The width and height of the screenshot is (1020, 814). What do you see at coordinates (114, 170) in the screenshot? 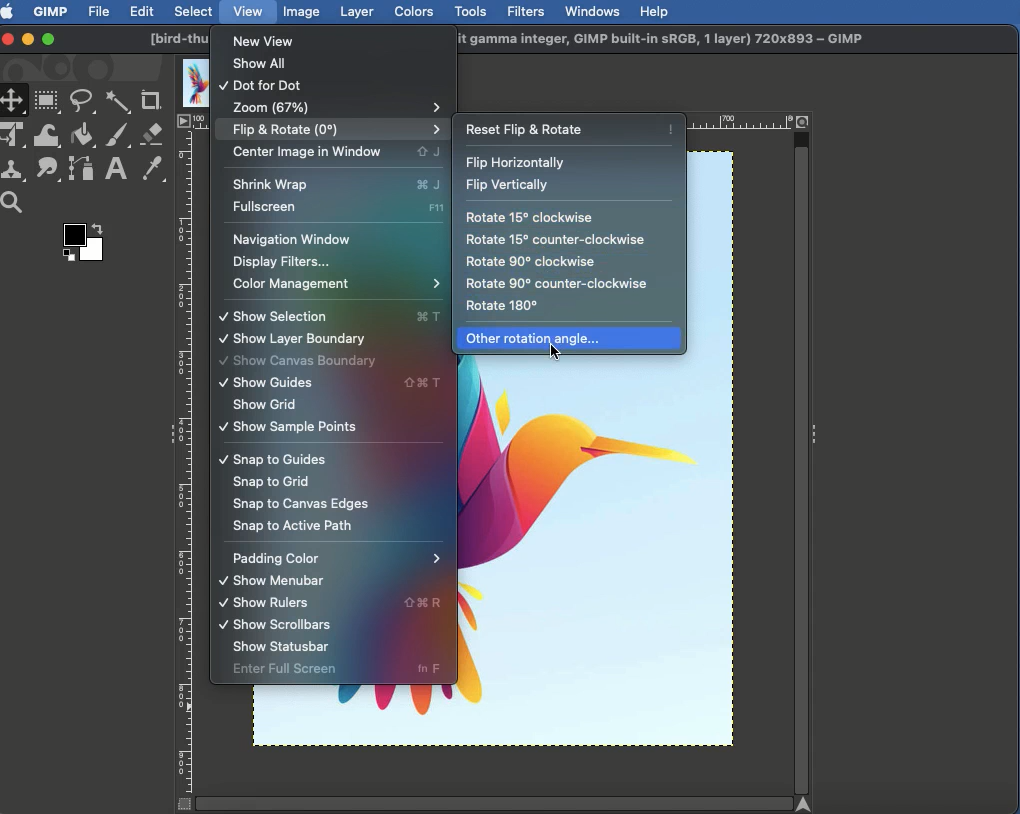
I see `Text` at bounding box center [114, 170].